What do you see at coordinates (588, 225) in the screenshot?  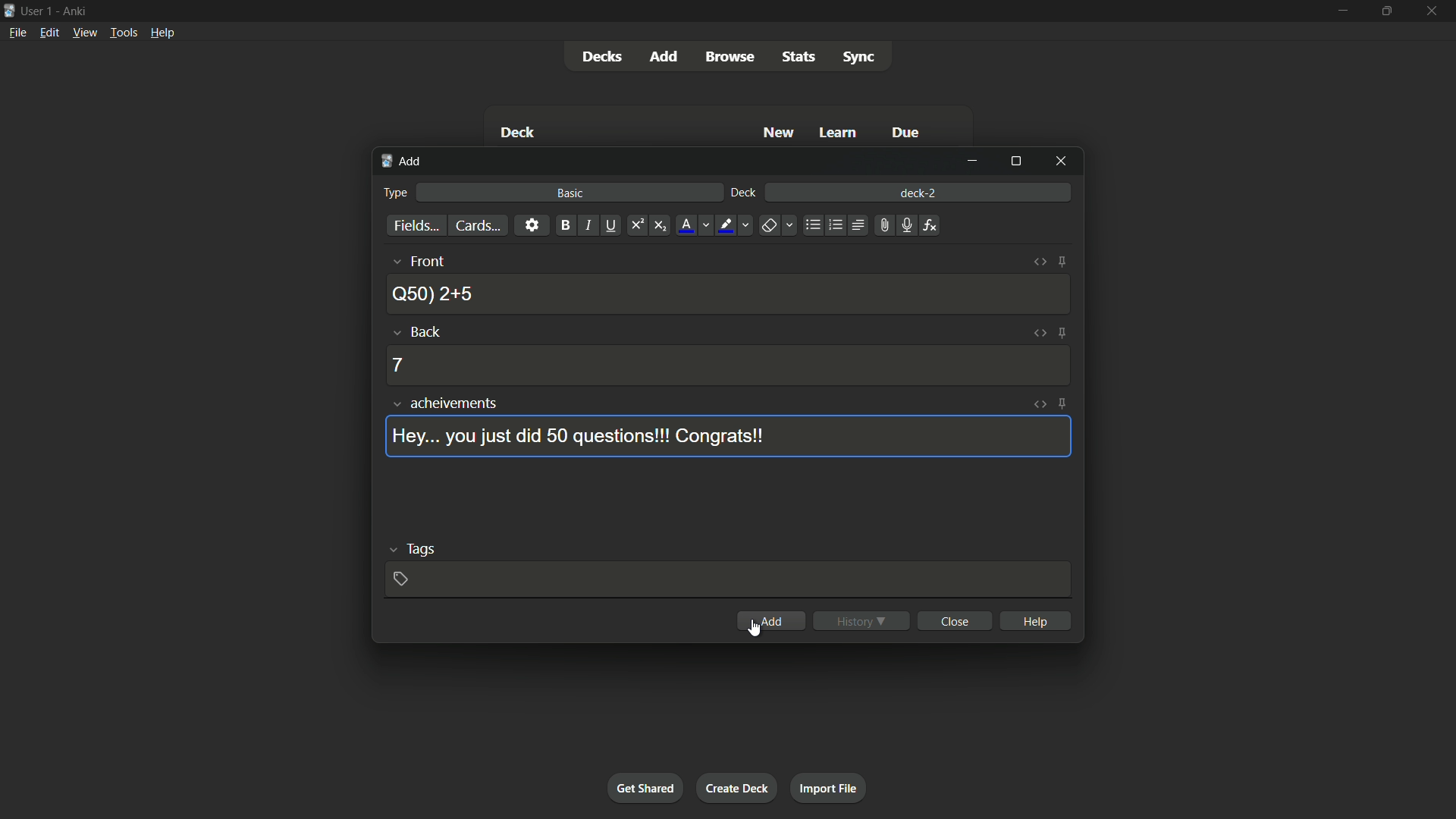 I see `italic` at bounding box center [588, 225].